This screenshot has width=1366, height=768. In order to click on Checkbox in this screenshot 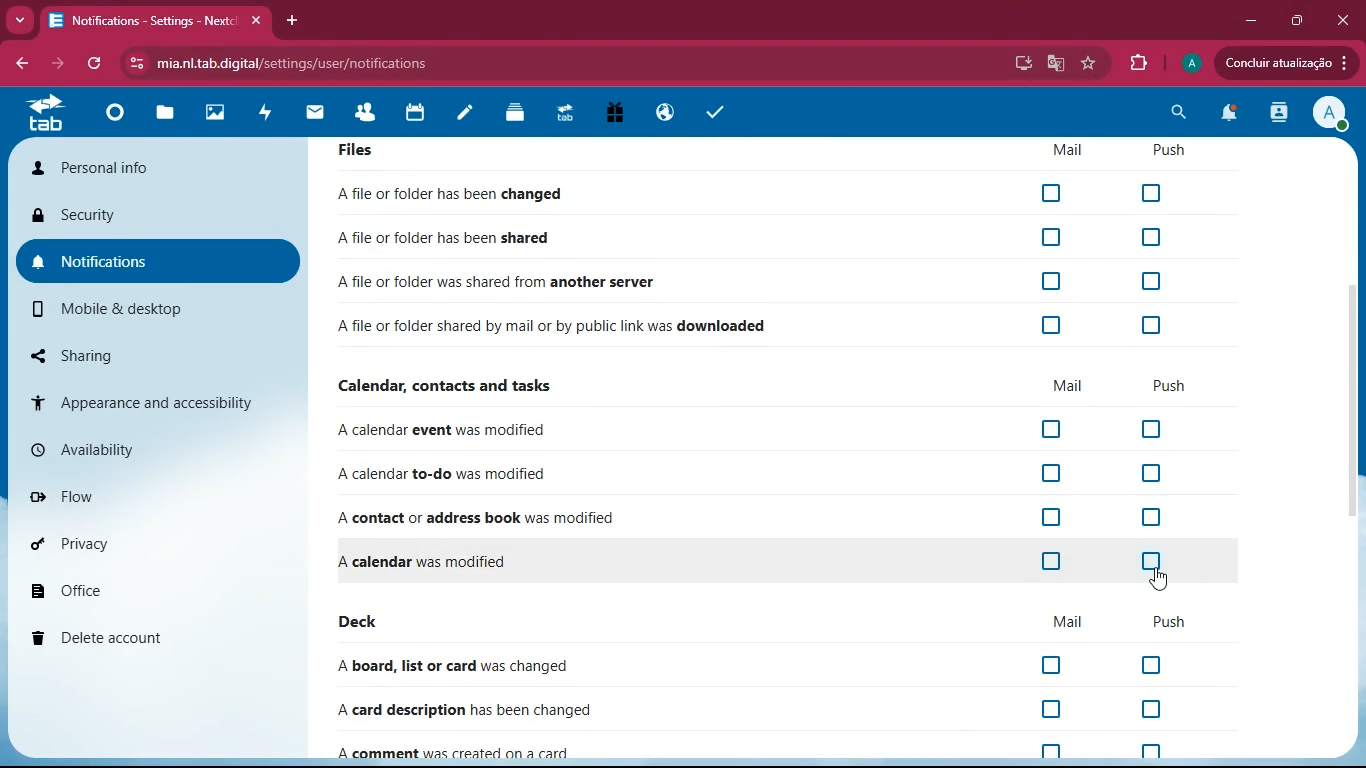, I will do `click(1157, 235)`.